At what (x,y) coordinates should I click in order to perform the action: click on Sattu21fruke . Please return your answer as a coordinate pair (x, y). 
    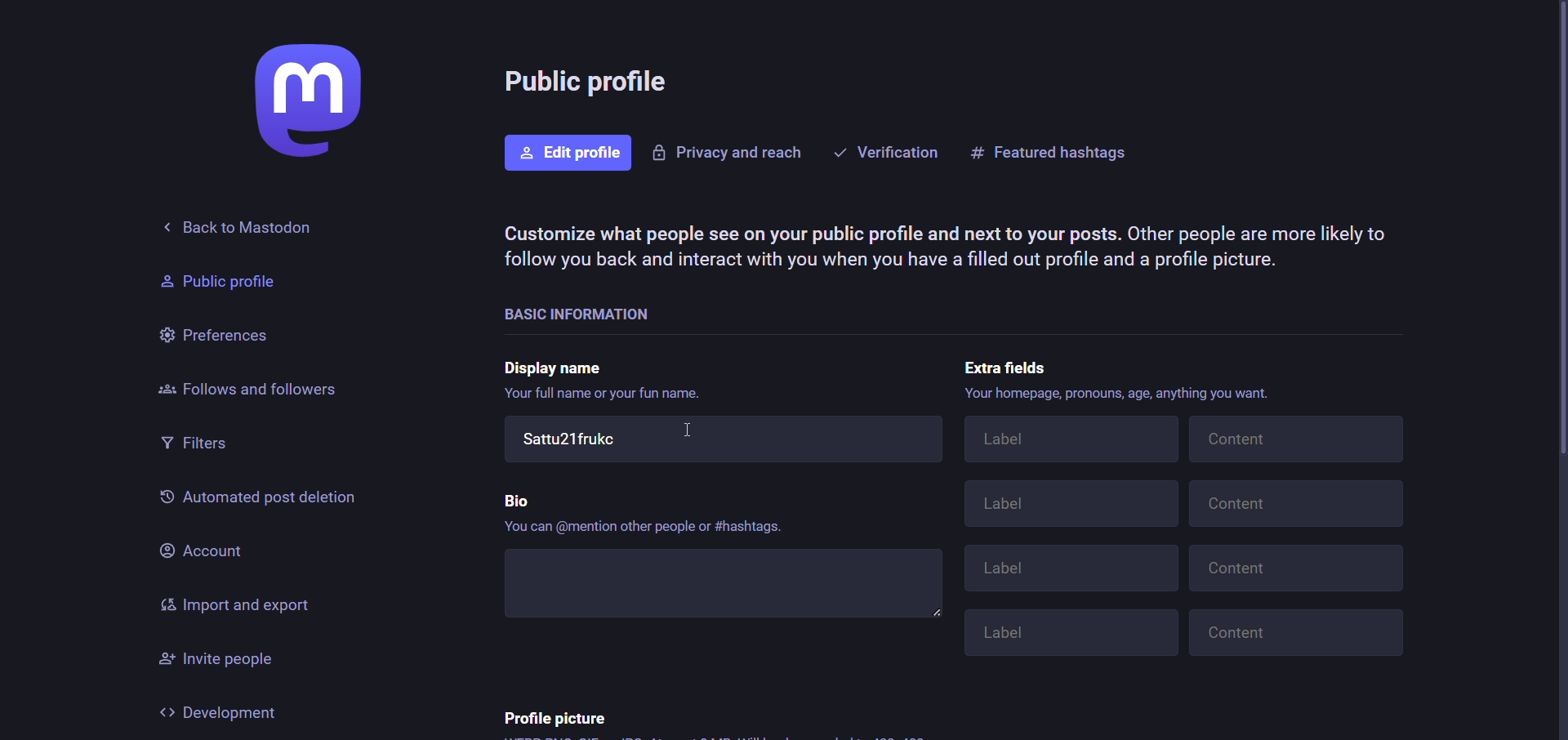
    Looking at the image, I should click on (722, 442).